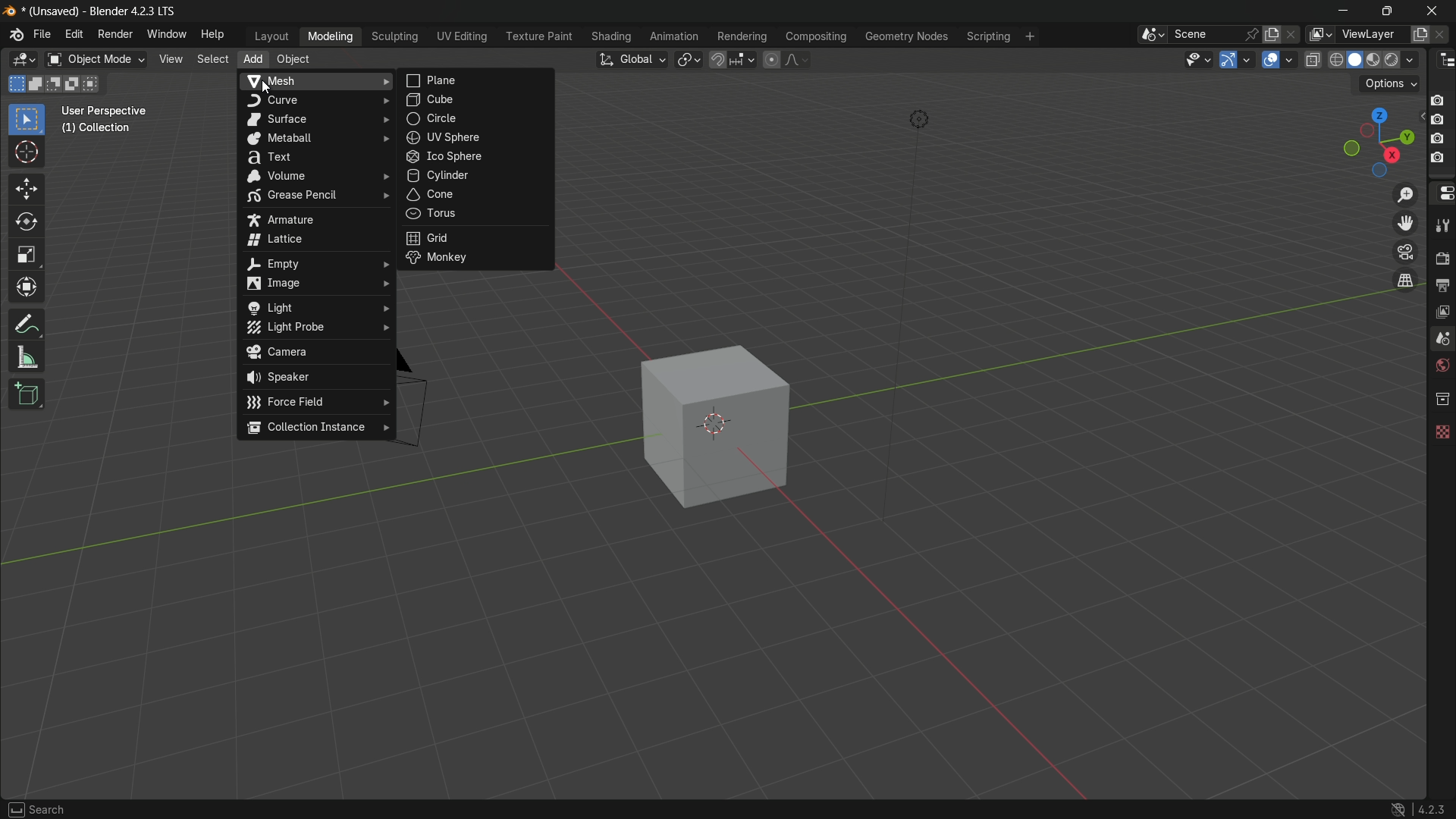  I want to click on edit menu, so click(76, 34).